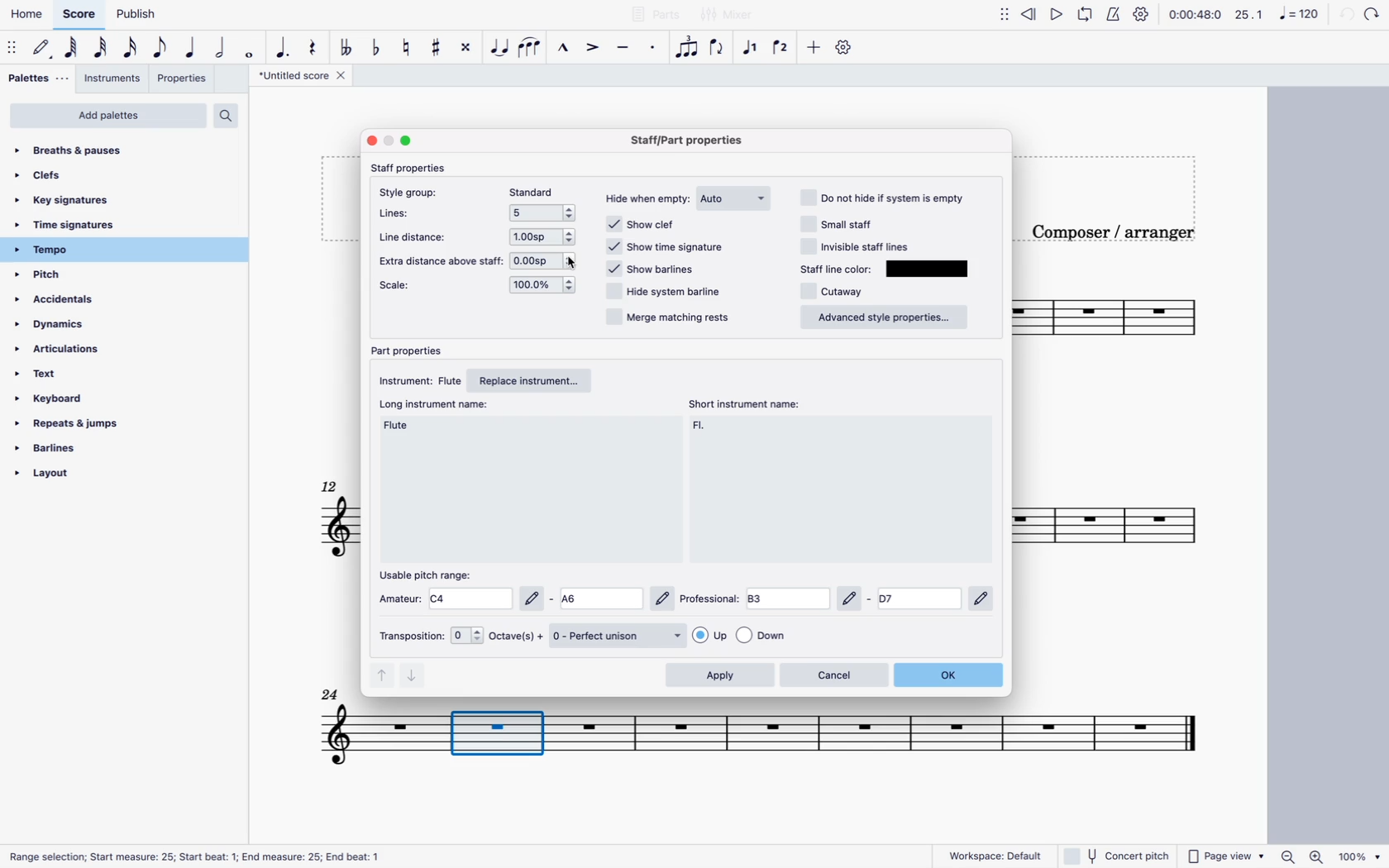  What do you see at coordinates (464, 46) in the screenshot?
I see `toggle double sharp` at bounding box center [464, 46].